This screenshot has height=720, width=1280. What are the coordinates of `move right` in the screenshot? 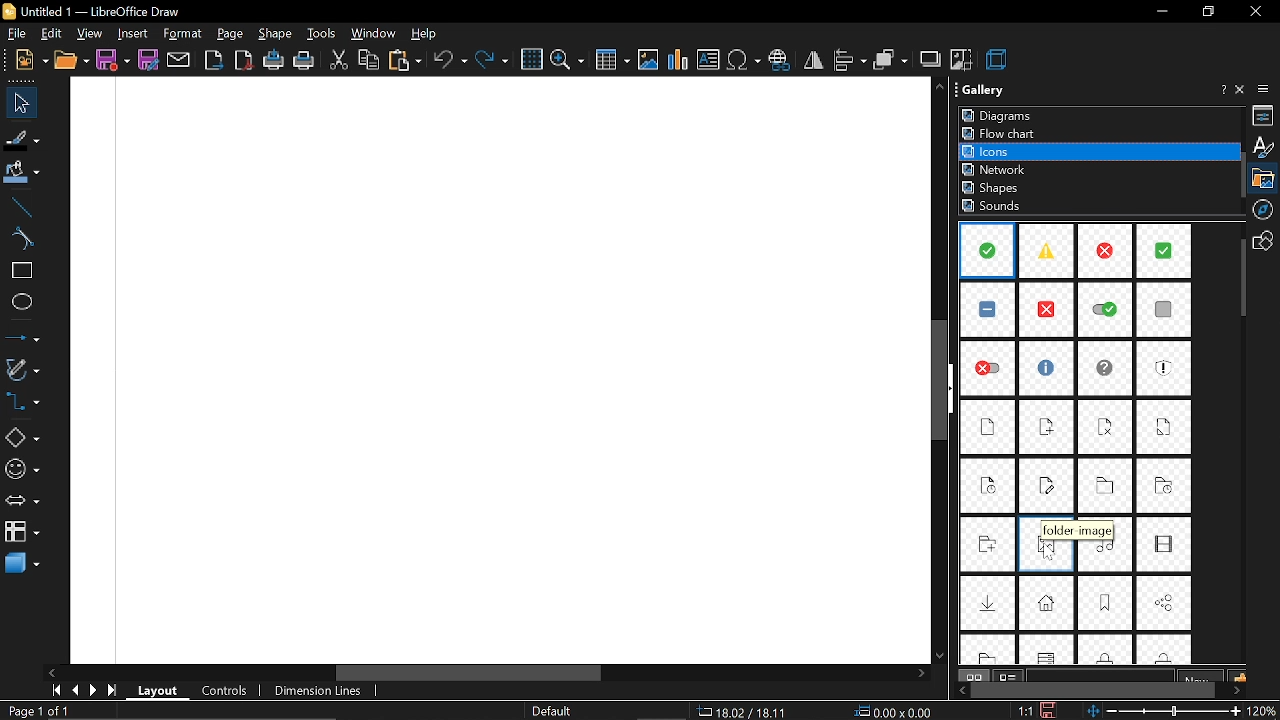 It's located at (1237, 689).